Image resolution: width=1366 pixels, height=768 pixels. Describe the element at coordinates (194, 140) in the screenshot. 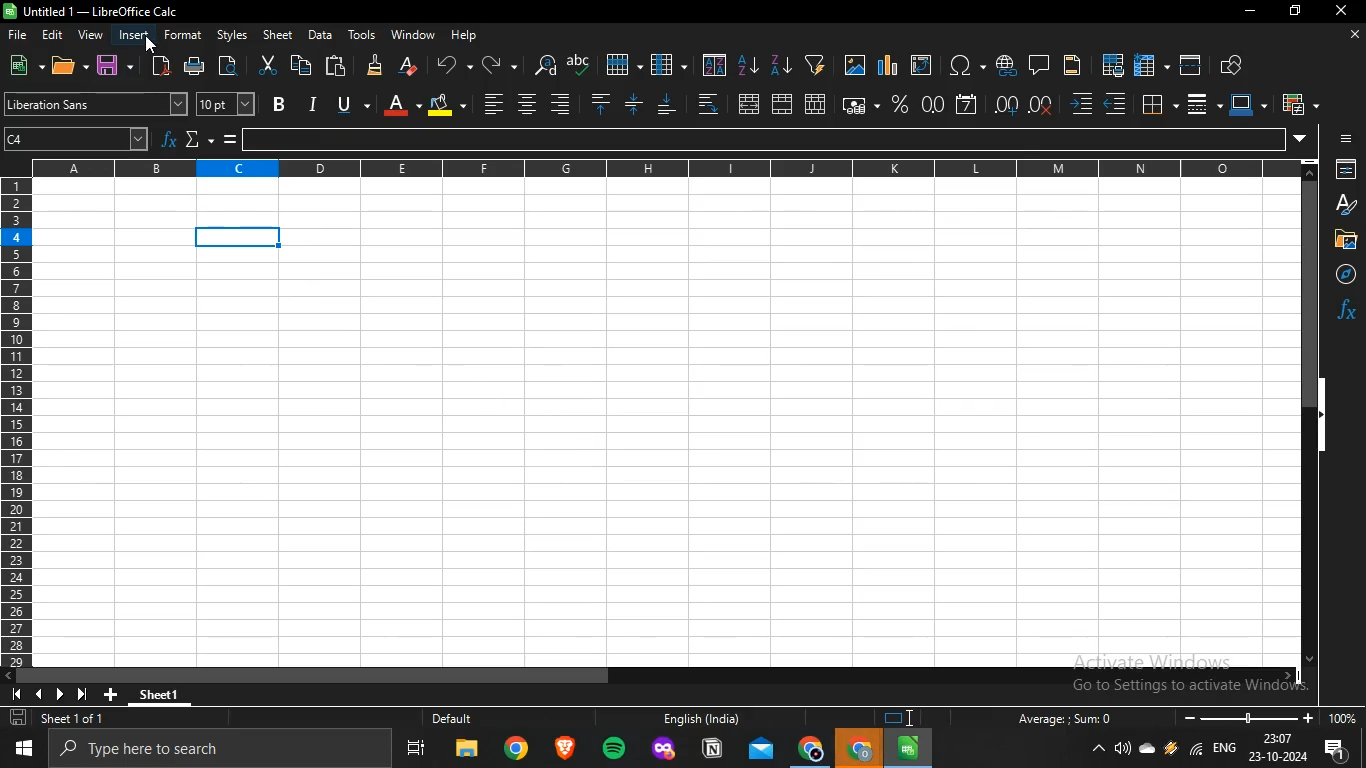

I see `select function` at that location.